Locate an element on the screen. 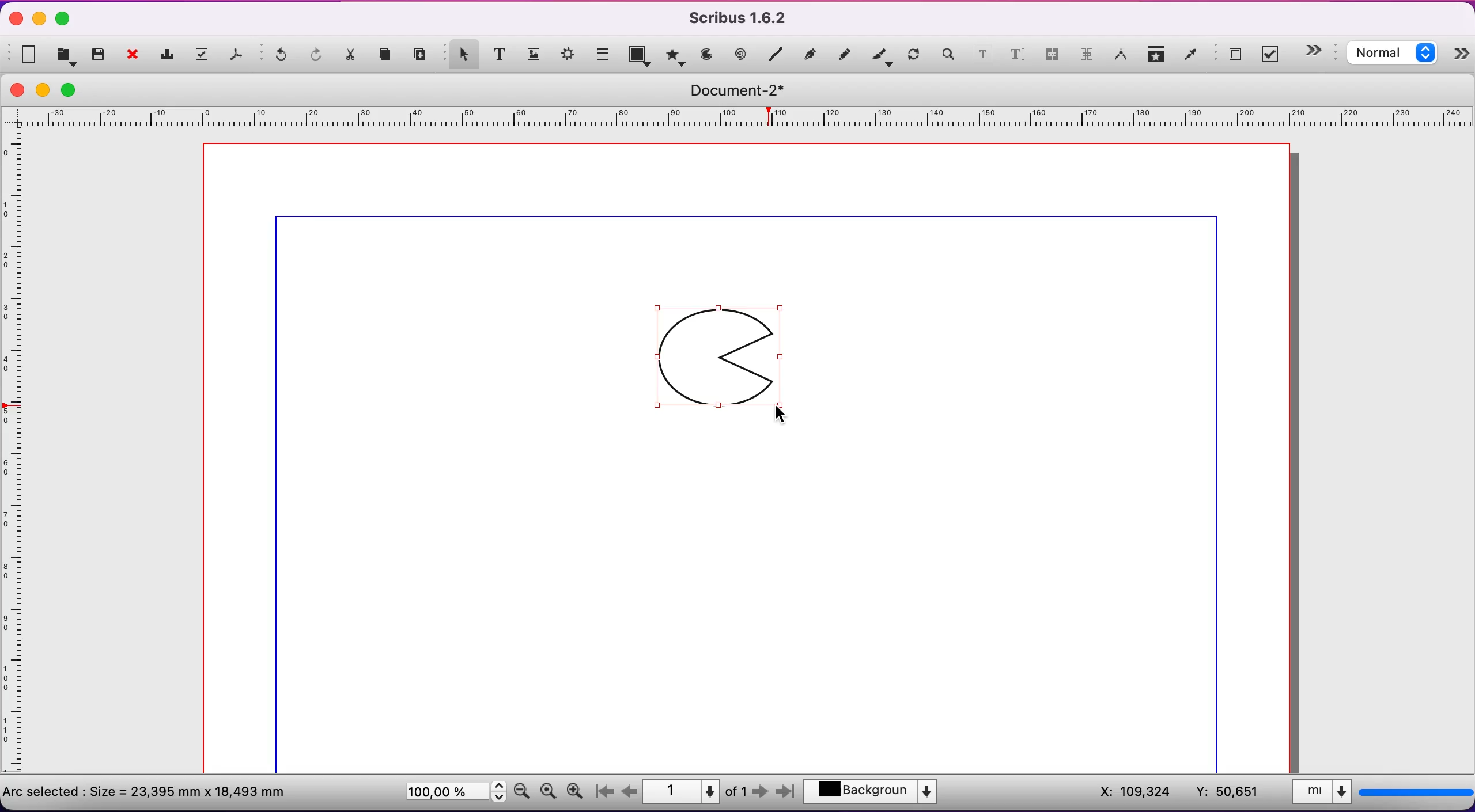 The width and height of the screenshot is (1475, 812). go one page backwards is located at coordinates (630, 791).